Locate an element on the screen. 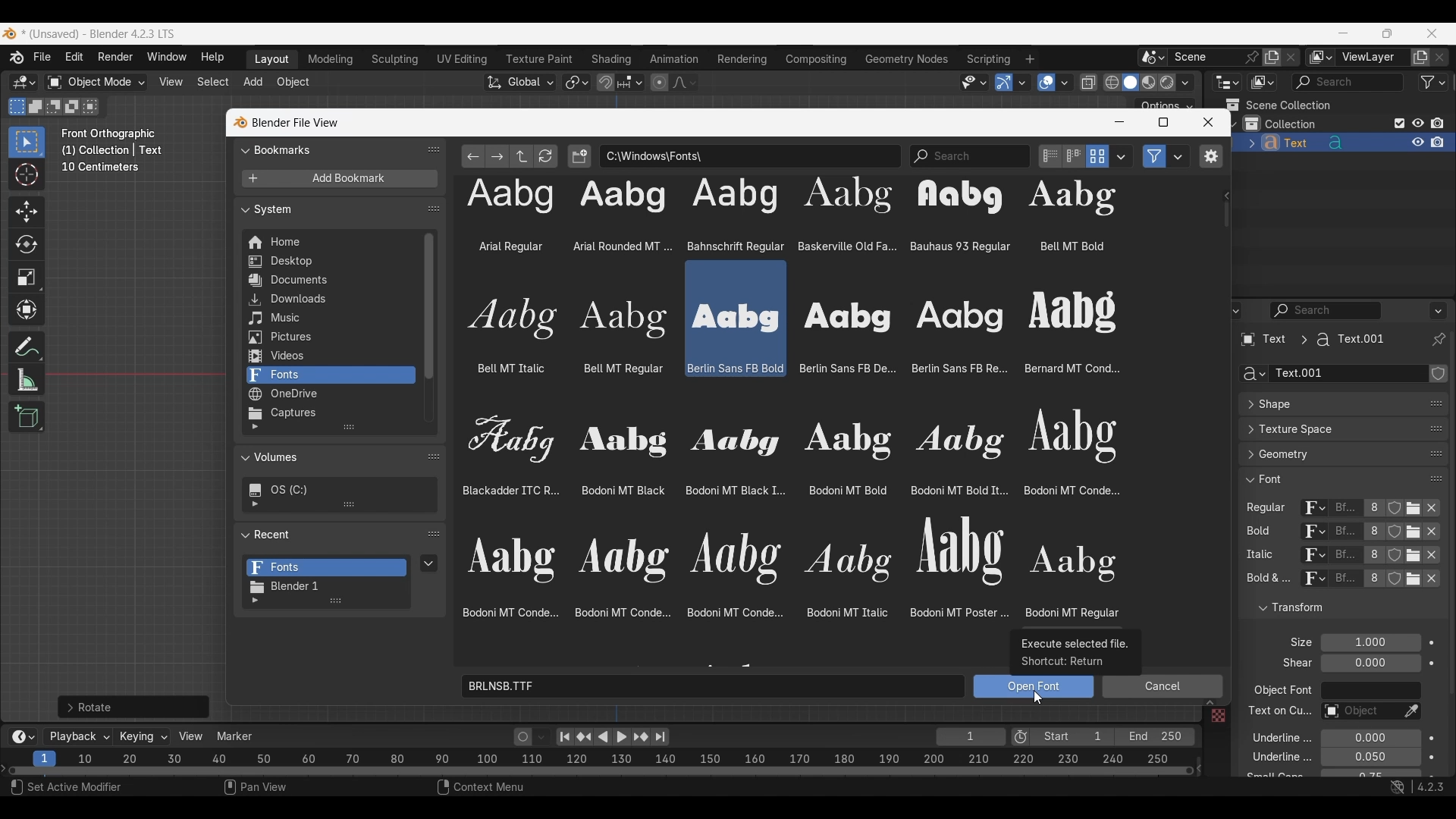 This screenshot has height=819, width=1456. text is located at coordinates (1266, 580).